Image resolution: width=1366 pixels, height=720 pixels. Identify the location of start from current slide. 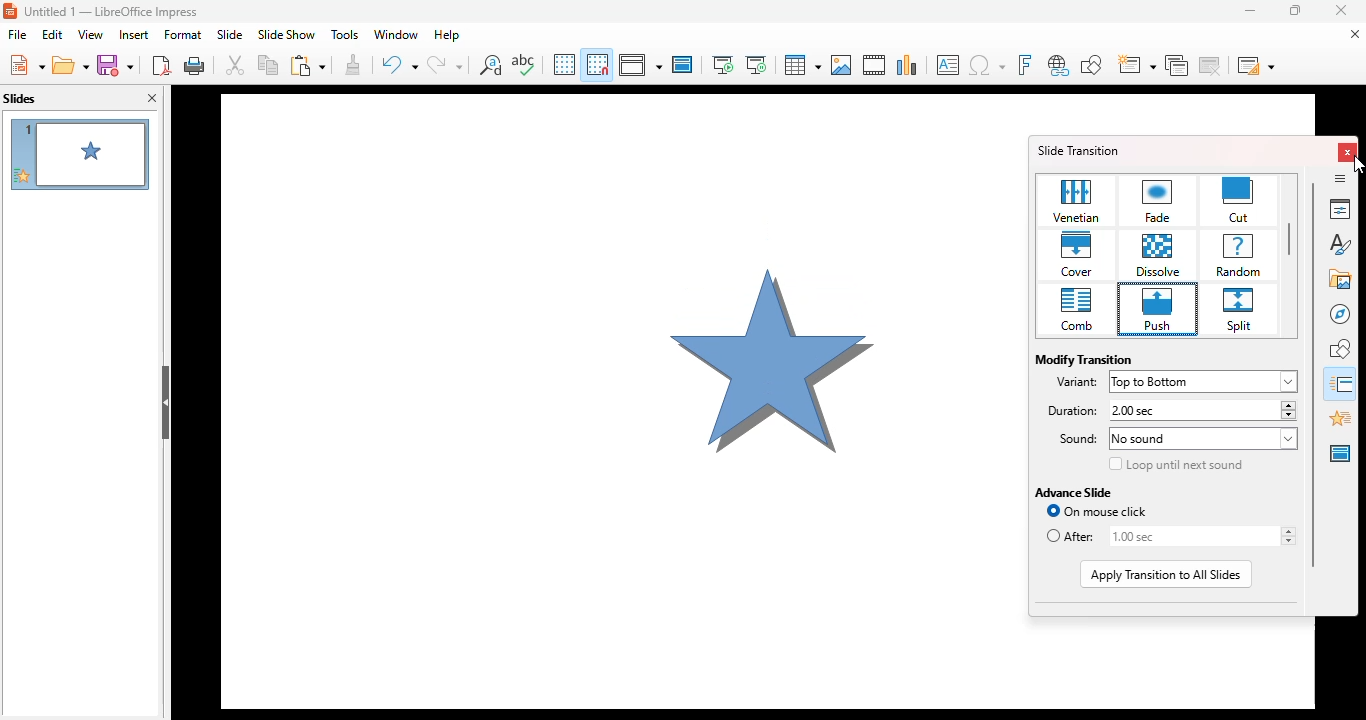
(756, 65).